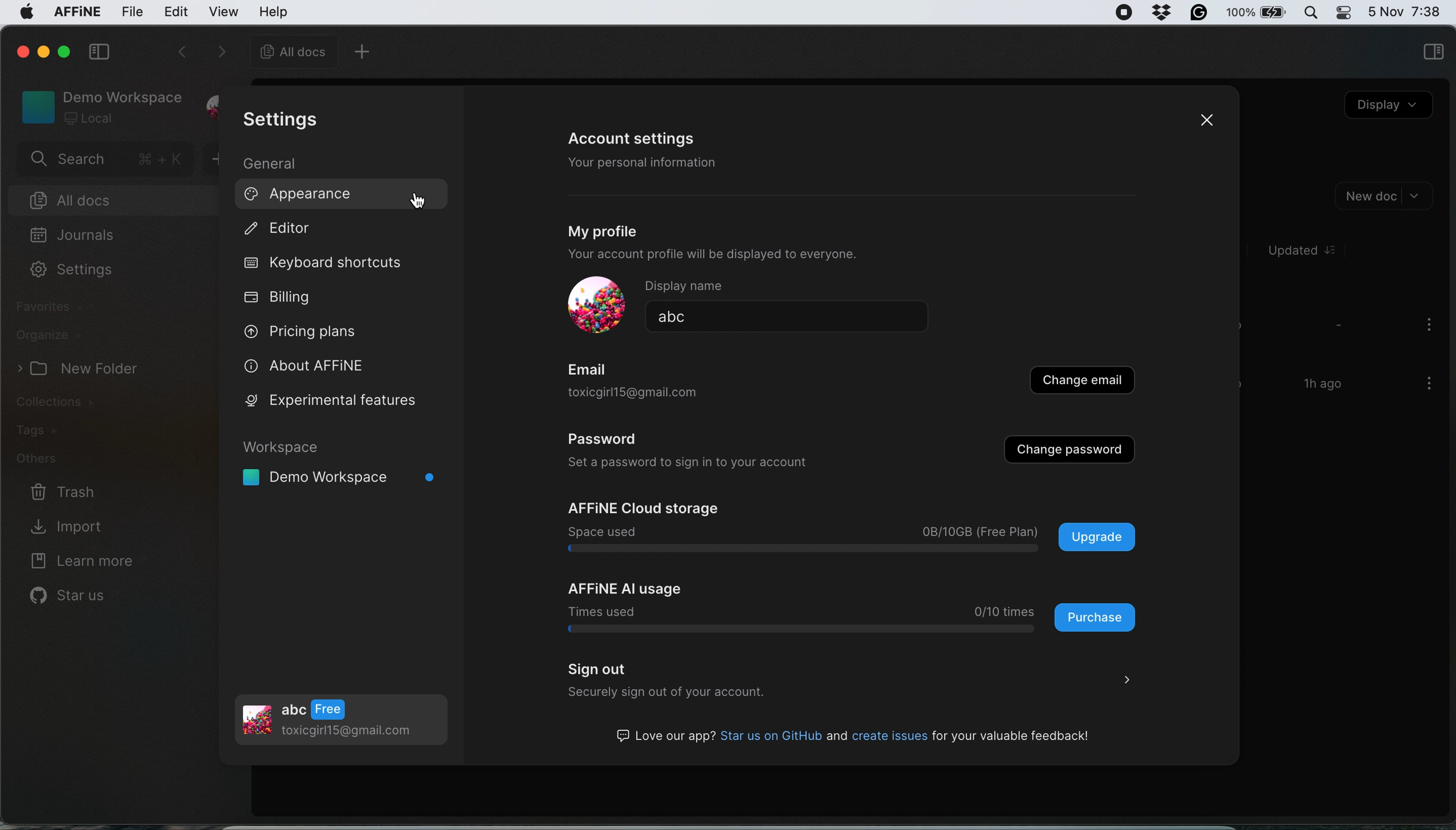  Describe the element at coordinates (76, 14) in the screenshot. I see `affine` at that location.